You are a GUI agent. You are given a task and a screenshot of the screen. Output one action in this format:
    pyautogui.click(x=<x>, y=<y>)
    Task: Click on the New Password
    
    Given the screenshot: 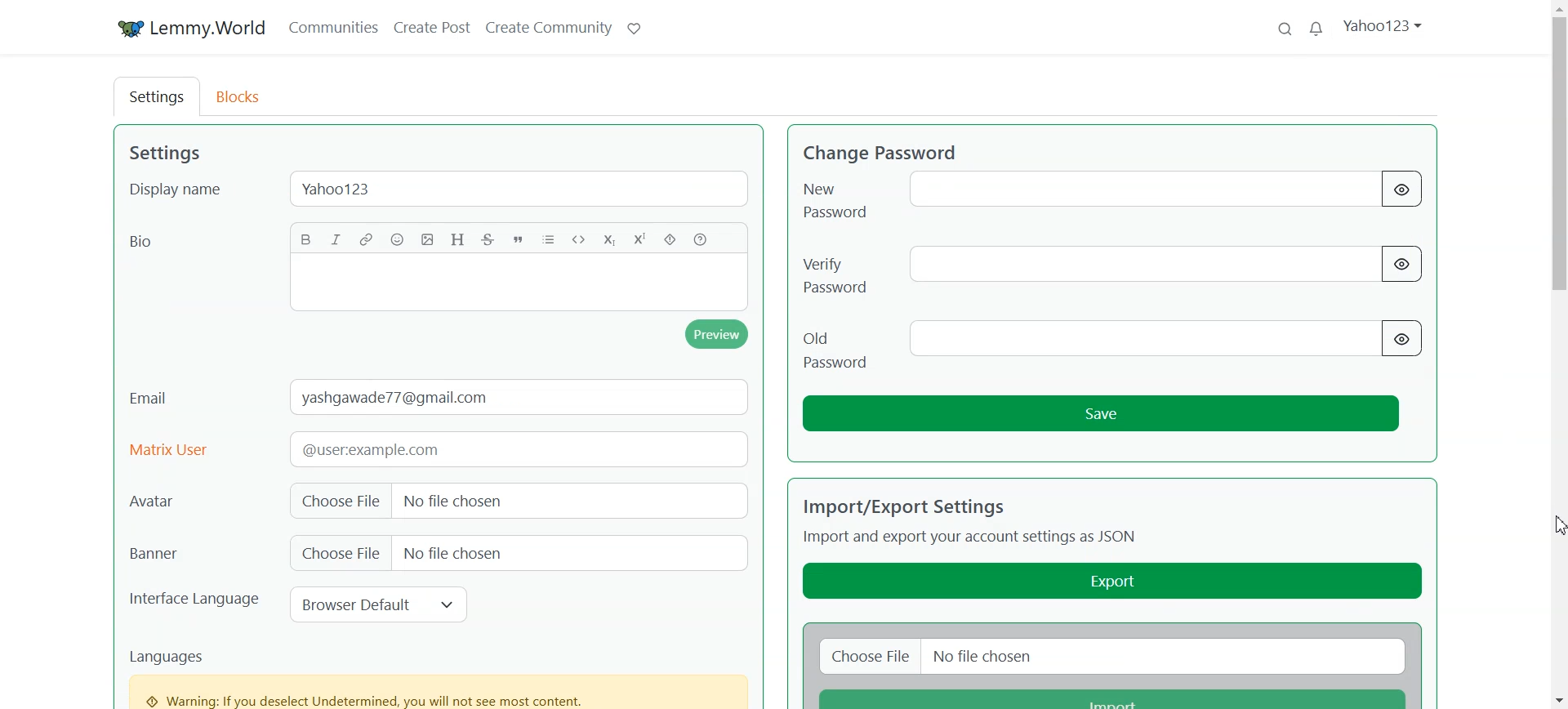 What is the action you would take?
    pyautogui.click(x=837, y=195)
    